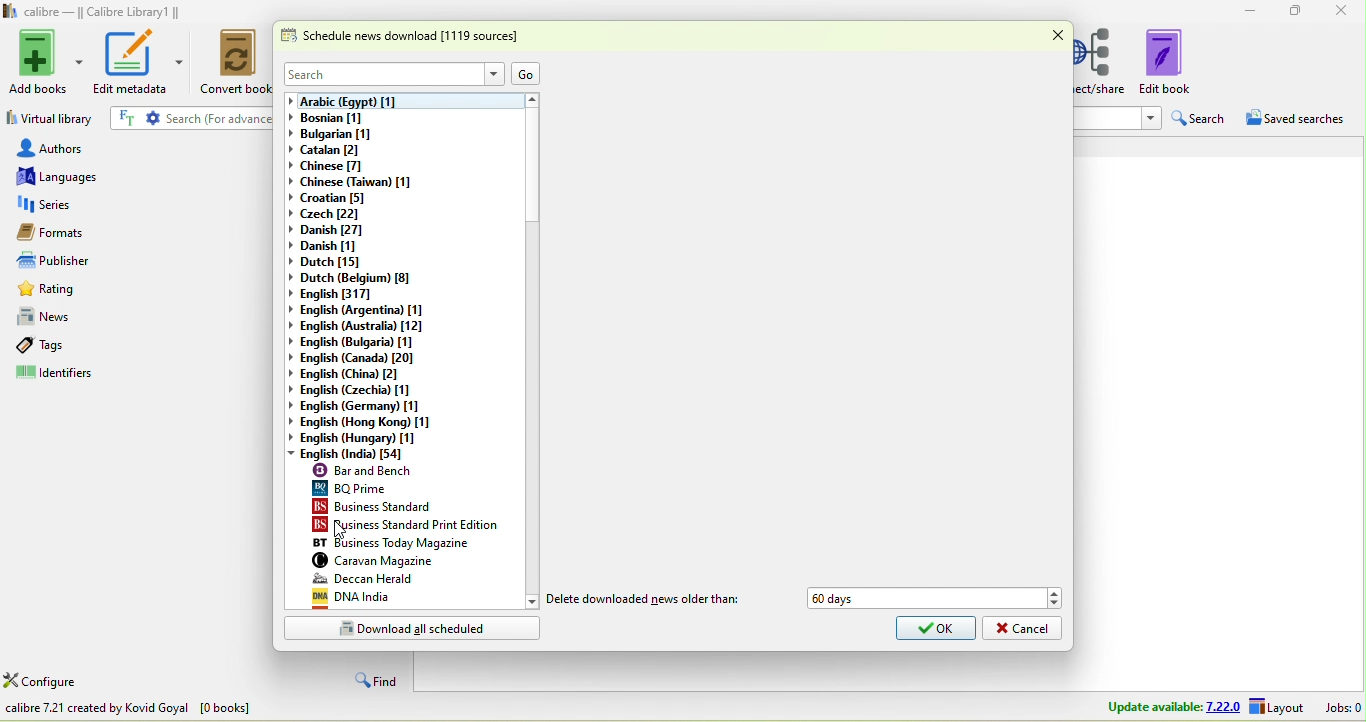  What do you see at coordinates (369, 439) in the screenshot?
I see `english (hungary)[1]` at bounding box center [369, 439].